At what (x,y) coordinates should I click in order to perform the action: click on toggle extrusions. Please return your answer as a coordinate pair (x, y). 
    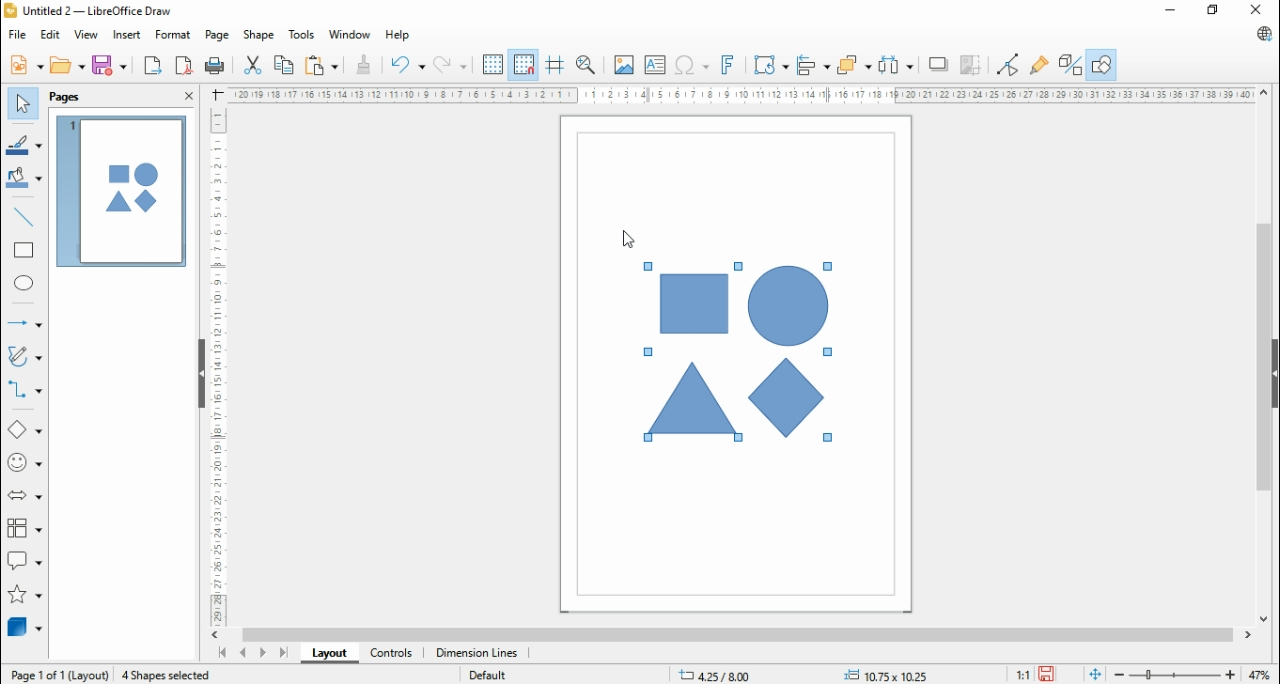
    Looking at the image, I should click on (1069, 63).